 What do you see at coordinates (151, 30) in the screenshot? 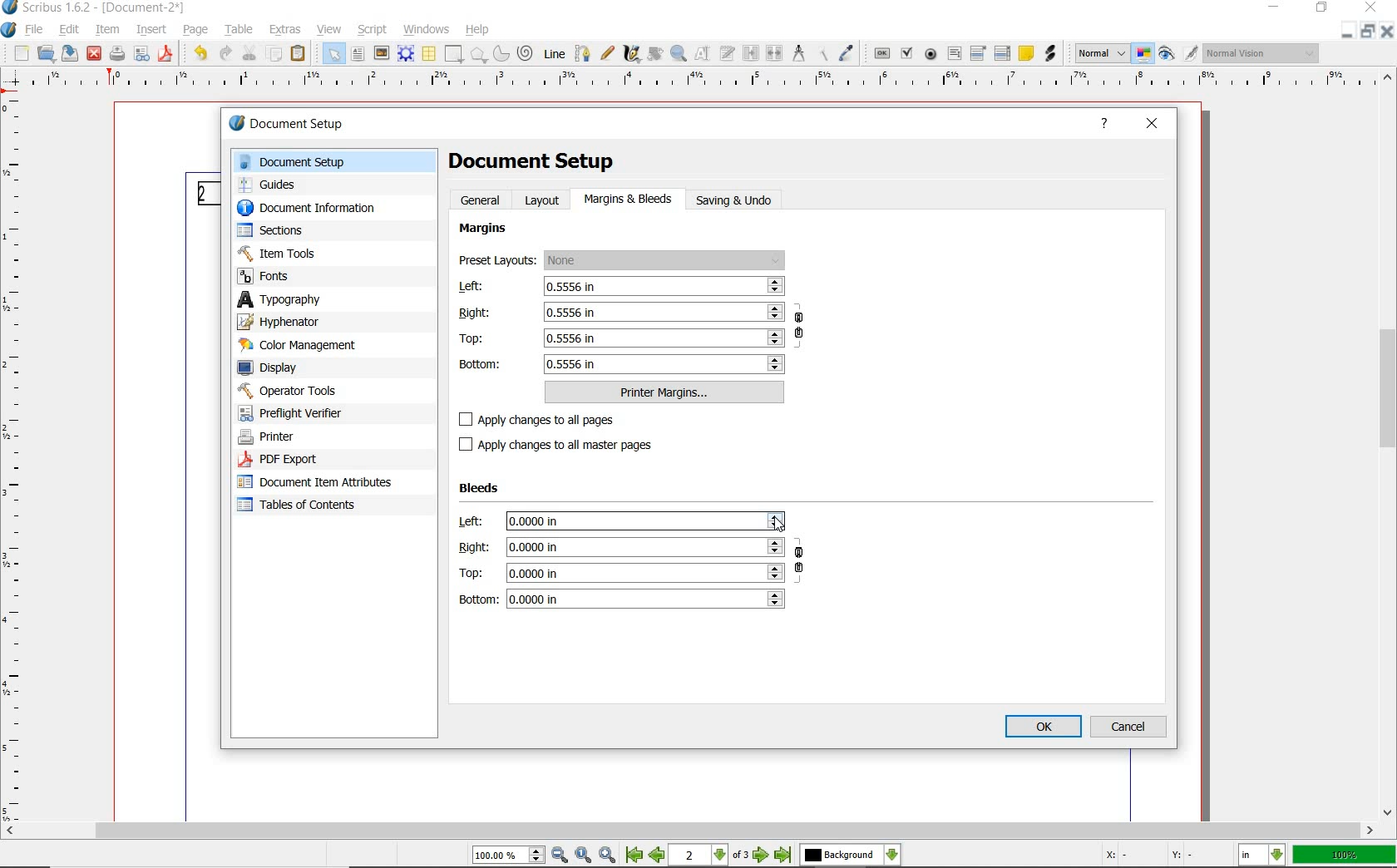
I see `insert` at bounding box center [151, 30].